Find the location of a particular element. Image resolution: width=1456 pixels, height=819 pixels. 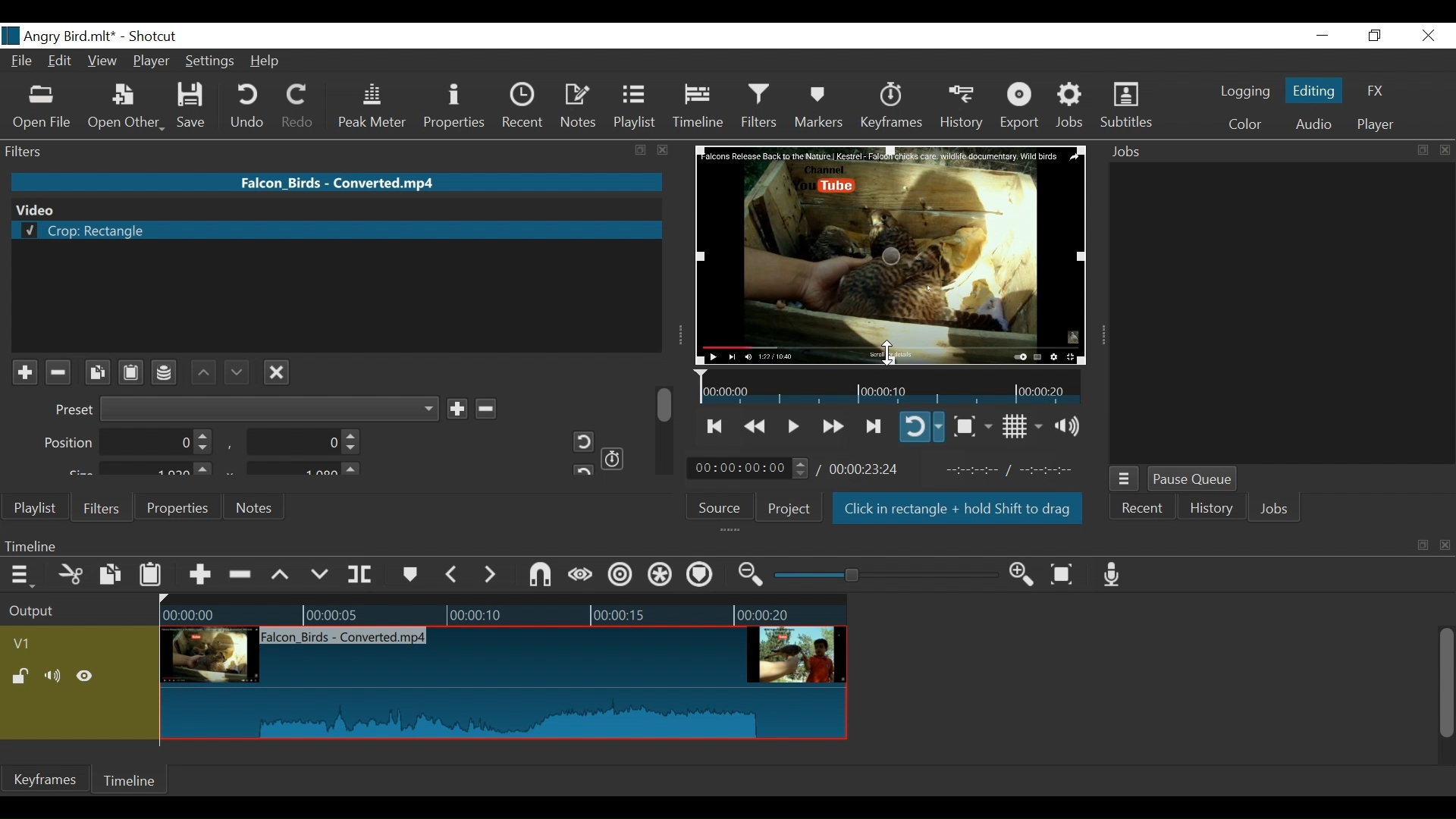

Edit is located at coordinates (62, 62).